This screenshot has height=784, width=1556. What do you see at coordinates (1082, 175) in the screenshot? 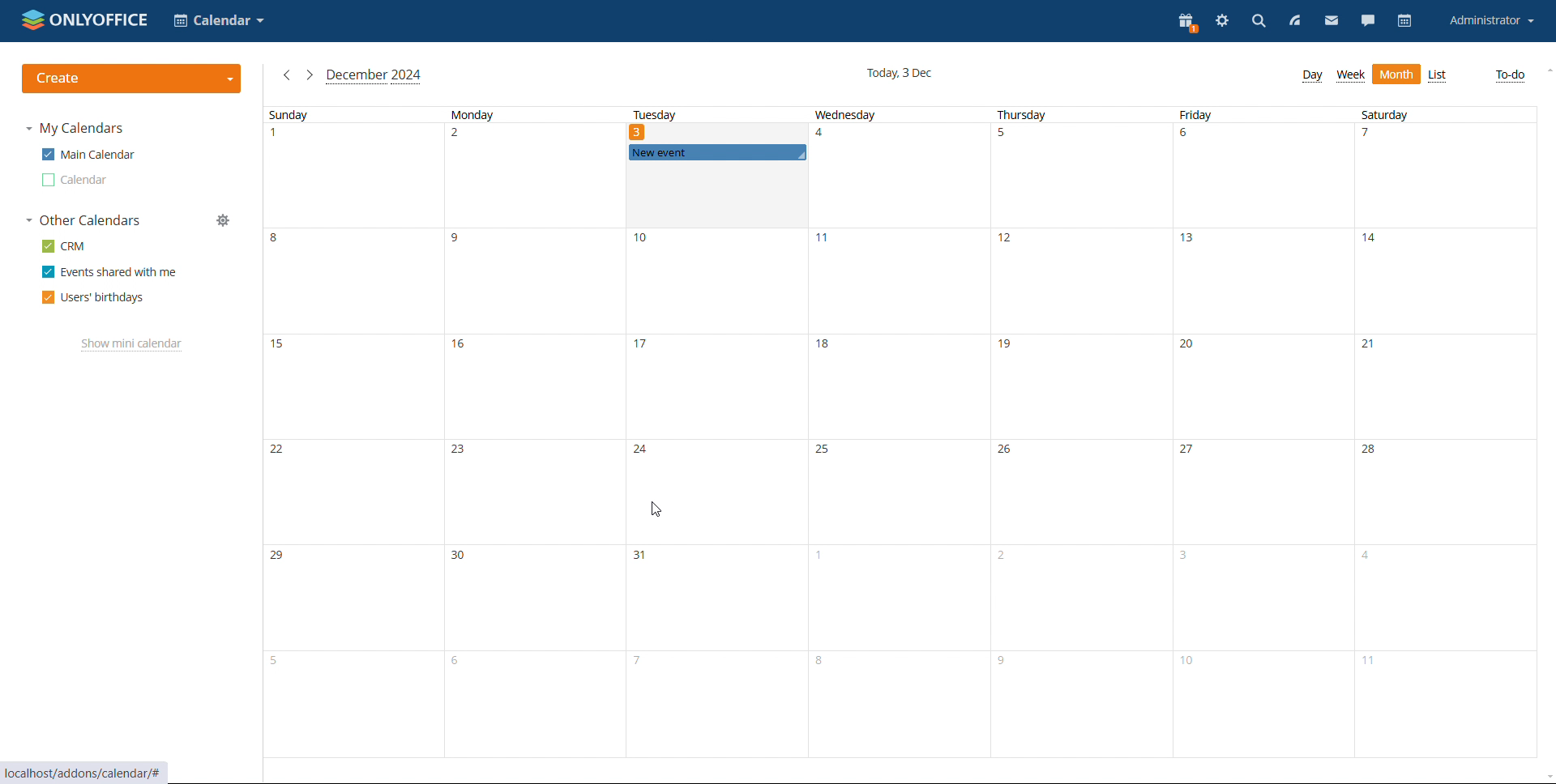
I see `date` at bounding box center [1082, 175].